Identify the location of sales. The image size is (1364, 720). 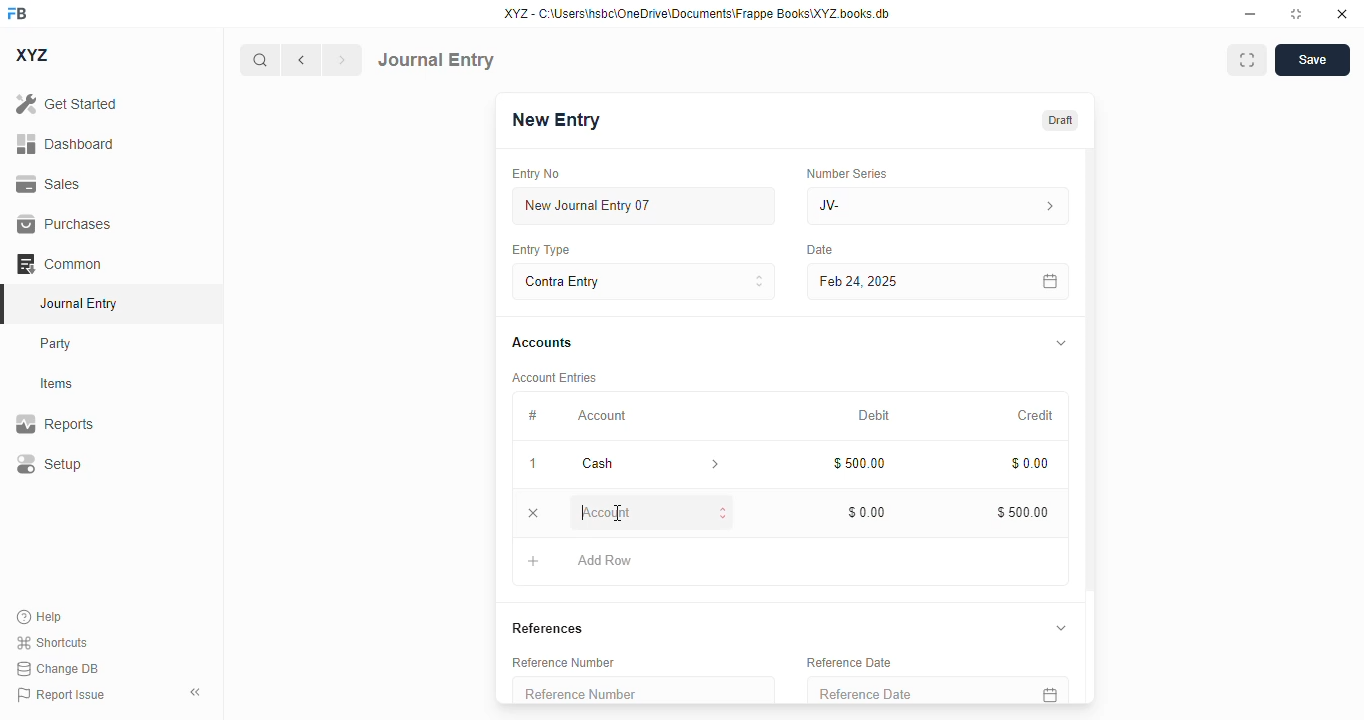
(48, 184).